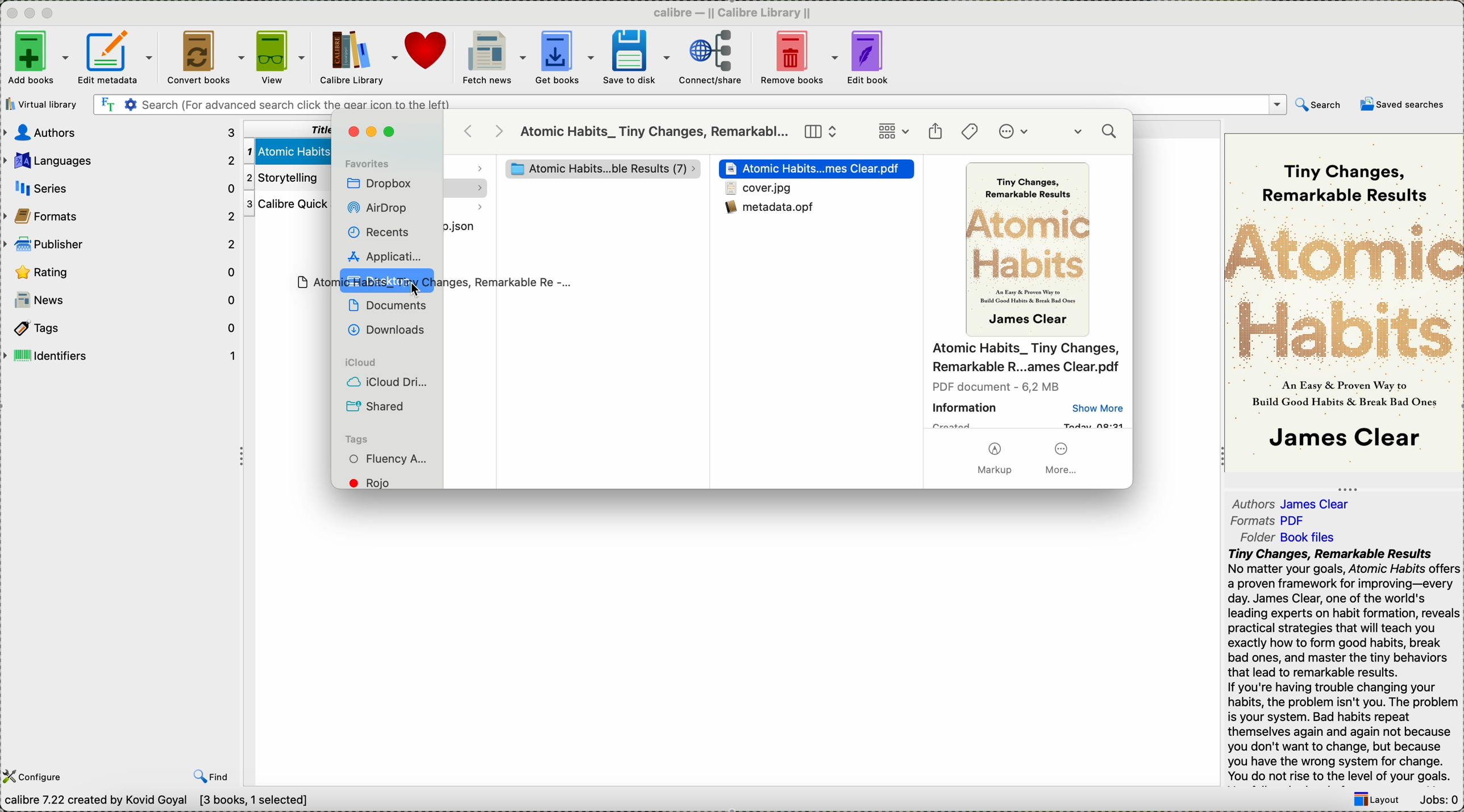  What do you see at coordinates (162, 802) in the screenshot?
I see `data` at bounding box center [162, 802].